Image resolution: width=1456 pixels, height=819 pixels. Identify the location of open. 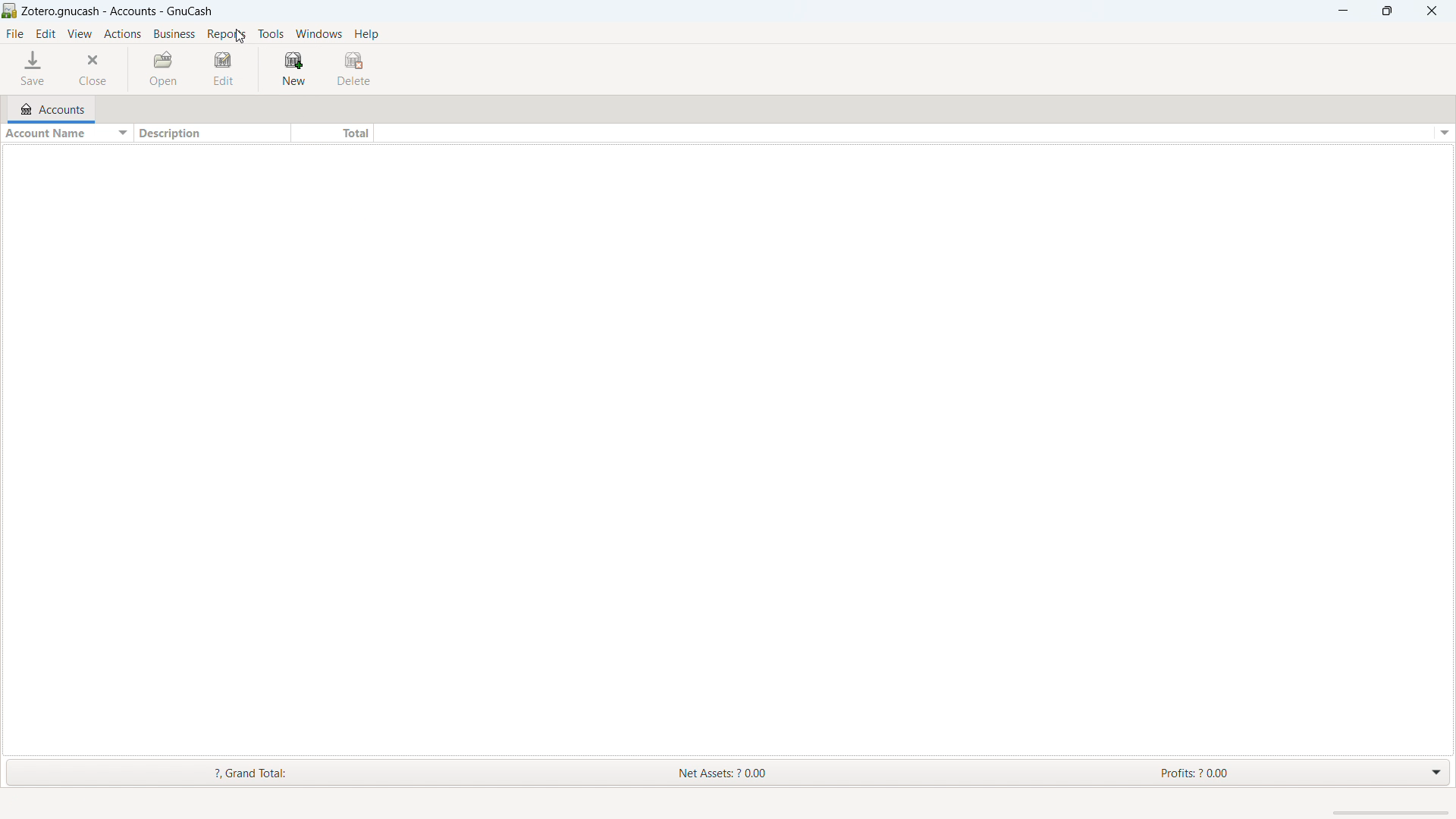
(166, 69).